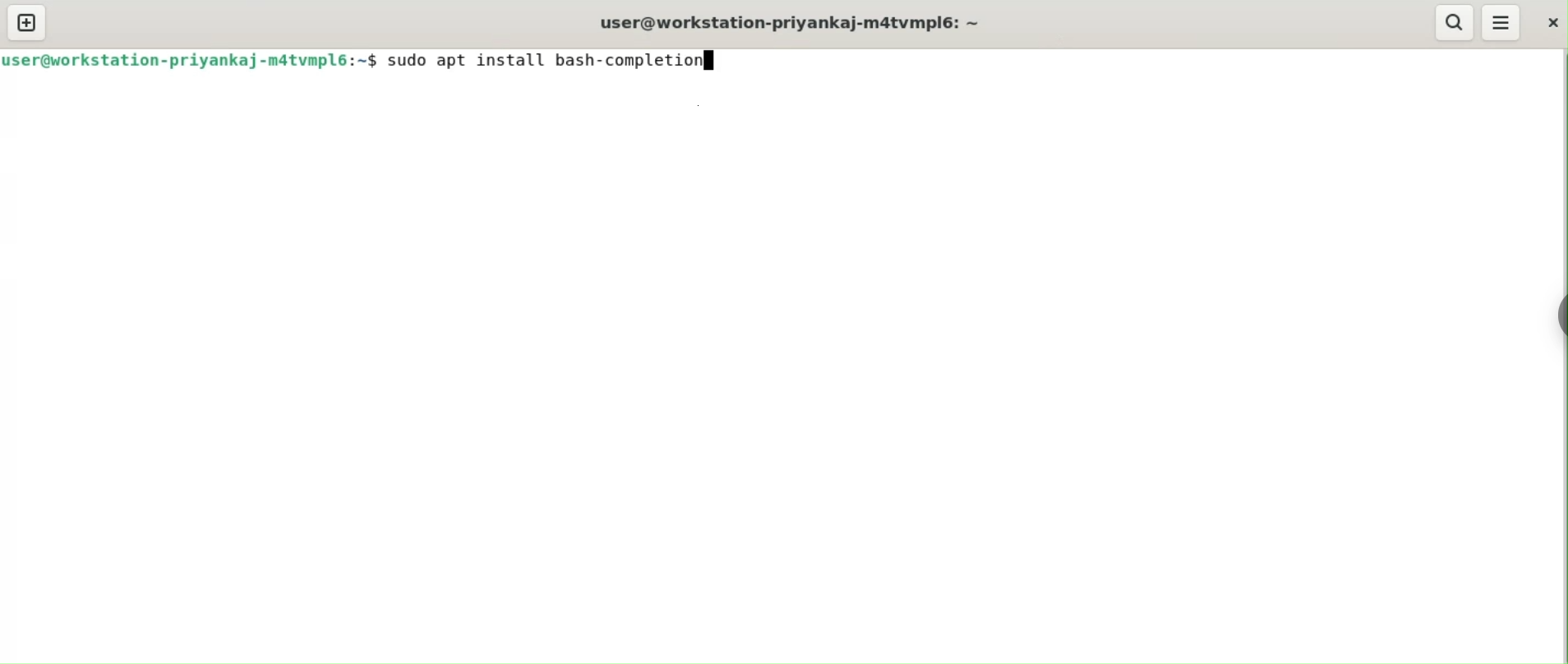 Image resolution: width=1568 pixels, height=664 pixels. What do you see at coordinates (30, 21) in the screenshot?
I see `new tab` at bounding box center [30, 21].